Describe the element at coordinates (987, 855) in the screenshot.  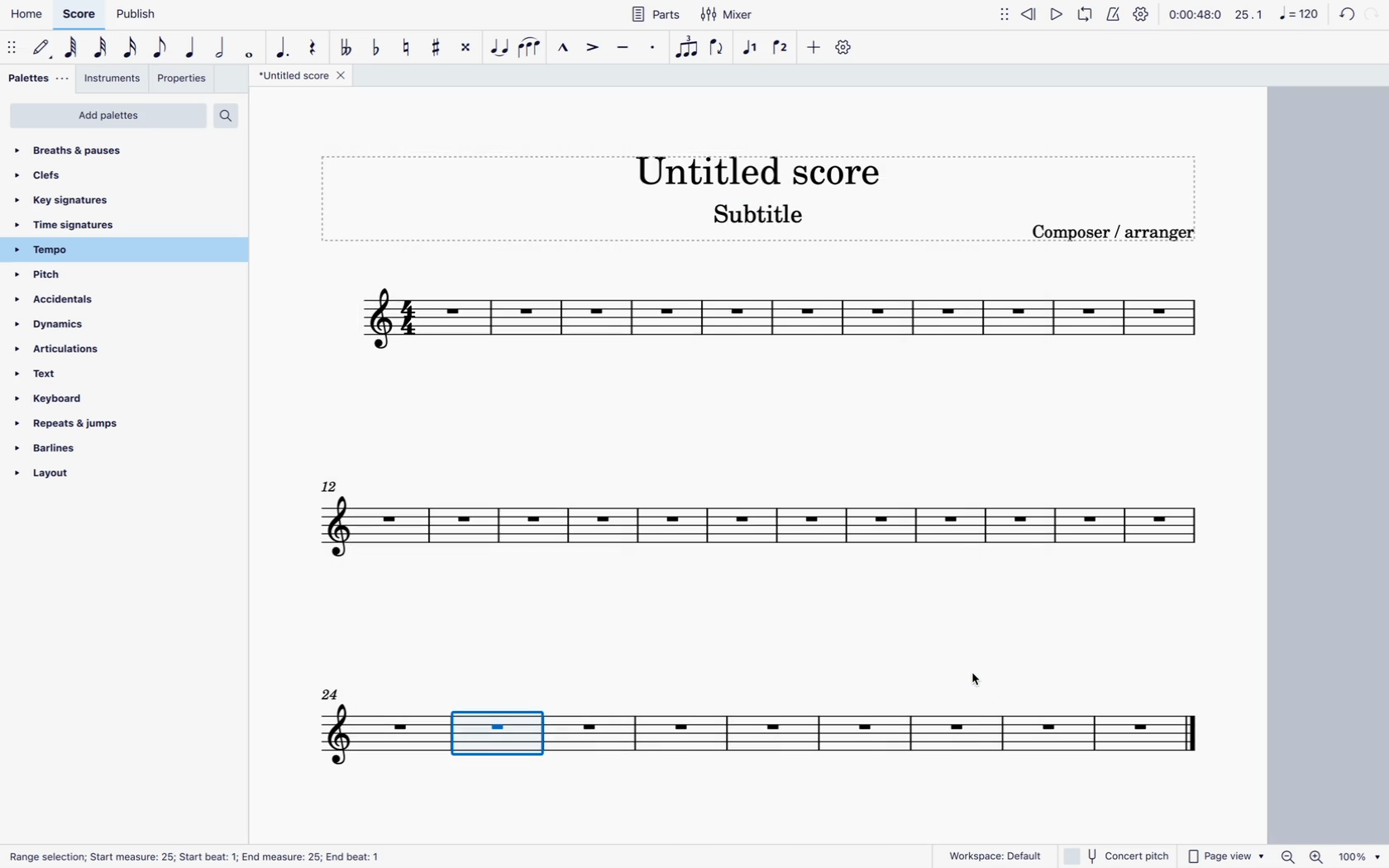
I see `workspace` at that location.